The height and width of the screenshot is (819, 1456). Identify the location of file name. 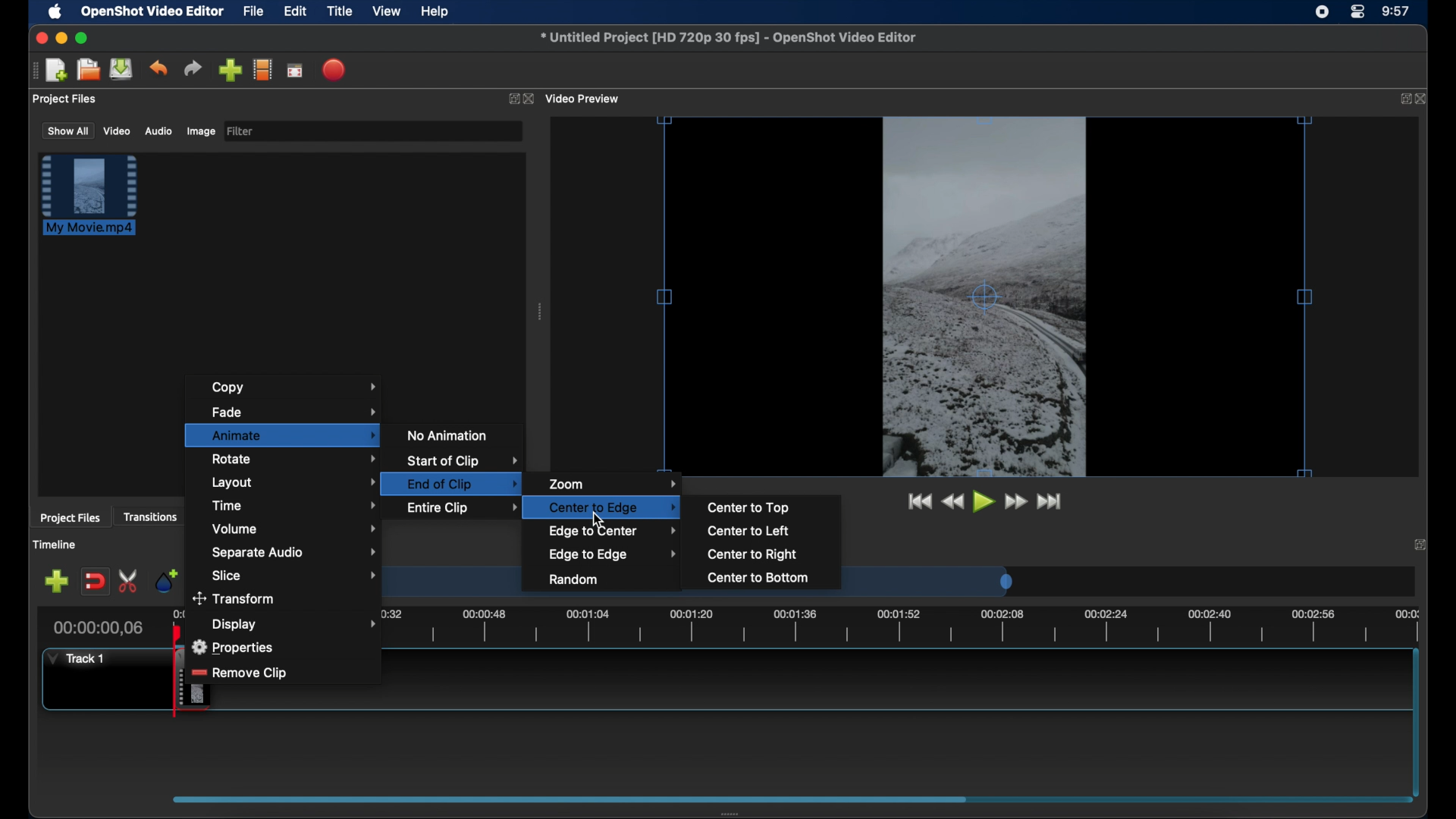
(730, 38).